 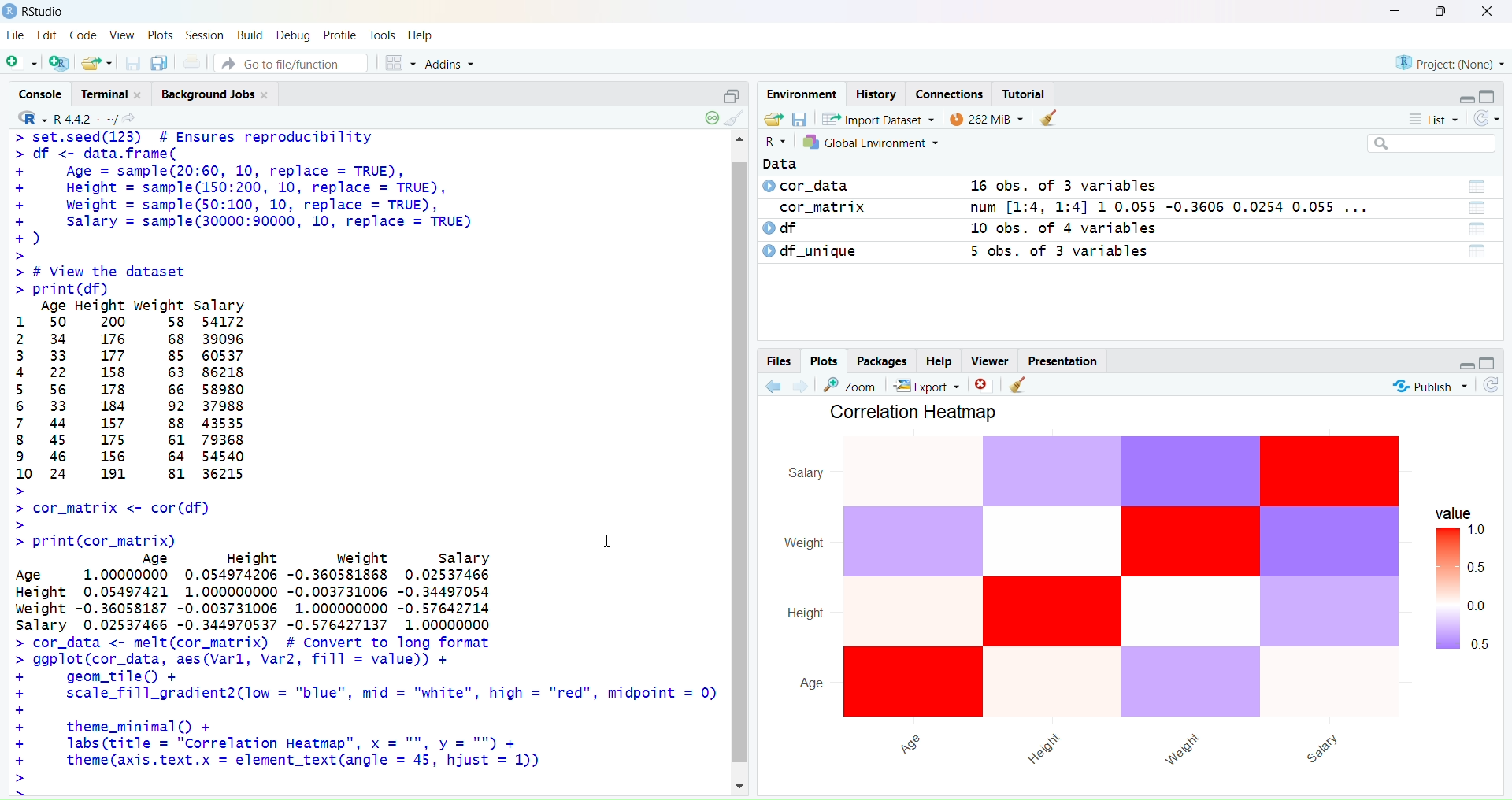 What do you see at coordinates (1020, 384) in the screenshot?
I see `Clear objects from the workplace` at bounding box center [1020, 384].